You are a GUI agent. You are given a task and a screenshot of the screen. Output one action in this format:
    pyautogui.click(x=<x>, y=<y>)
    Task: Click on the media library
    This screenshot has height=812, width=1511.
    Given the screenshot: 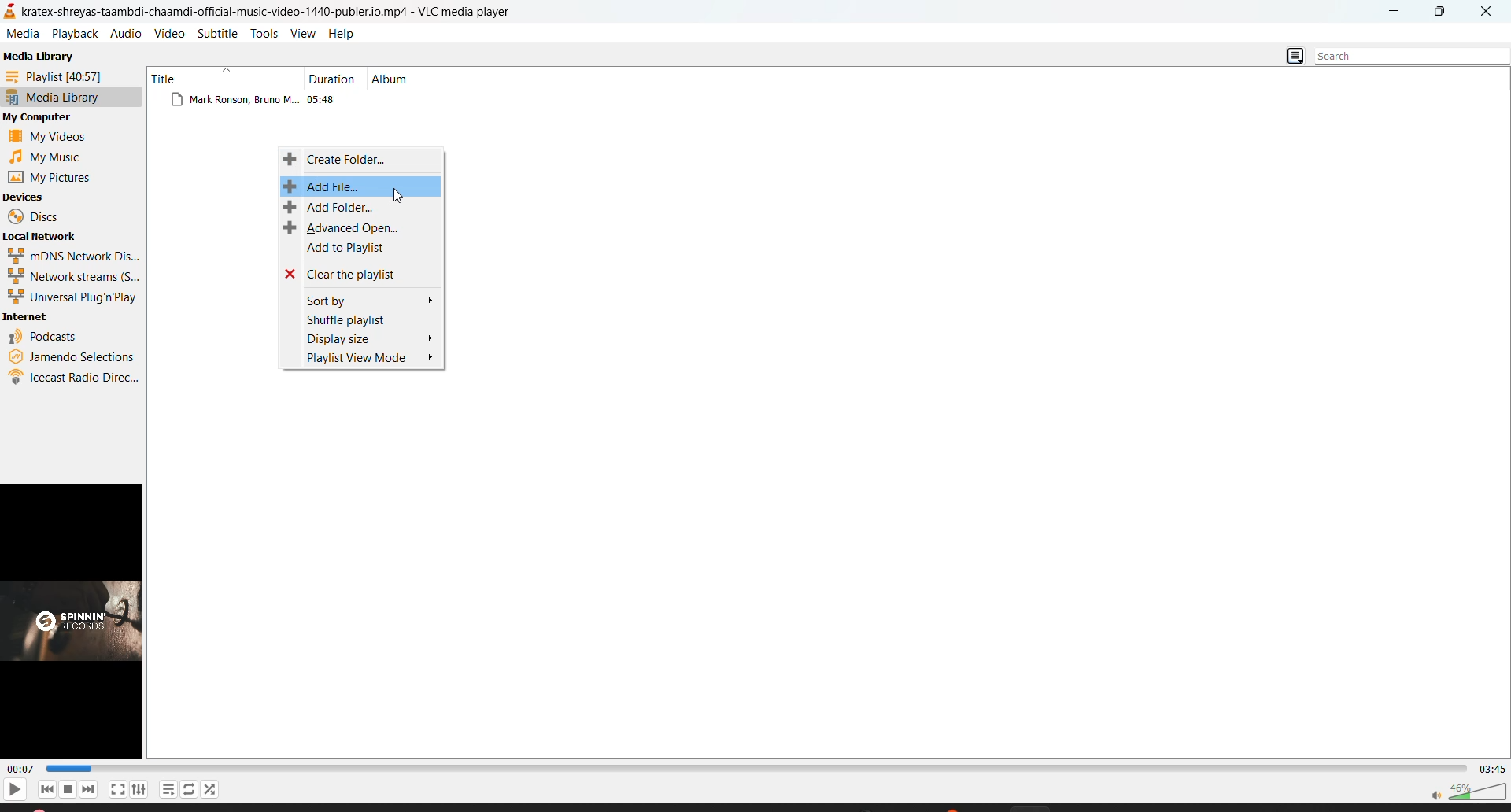 What is the action you would take?
    pyautogui.click(x=55, y=98)
    